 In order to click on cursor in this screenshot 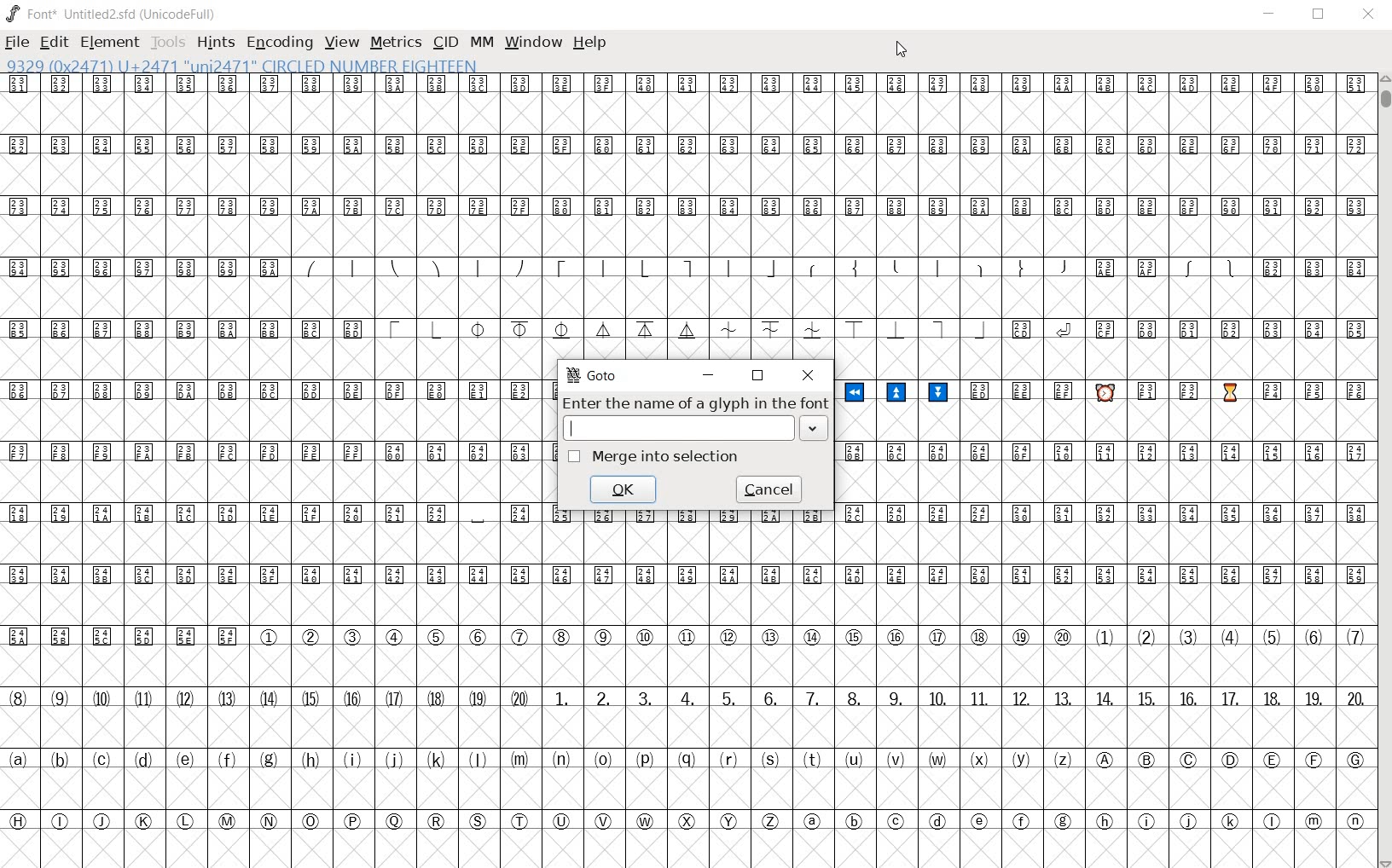, I will do `click(900, 51)`.